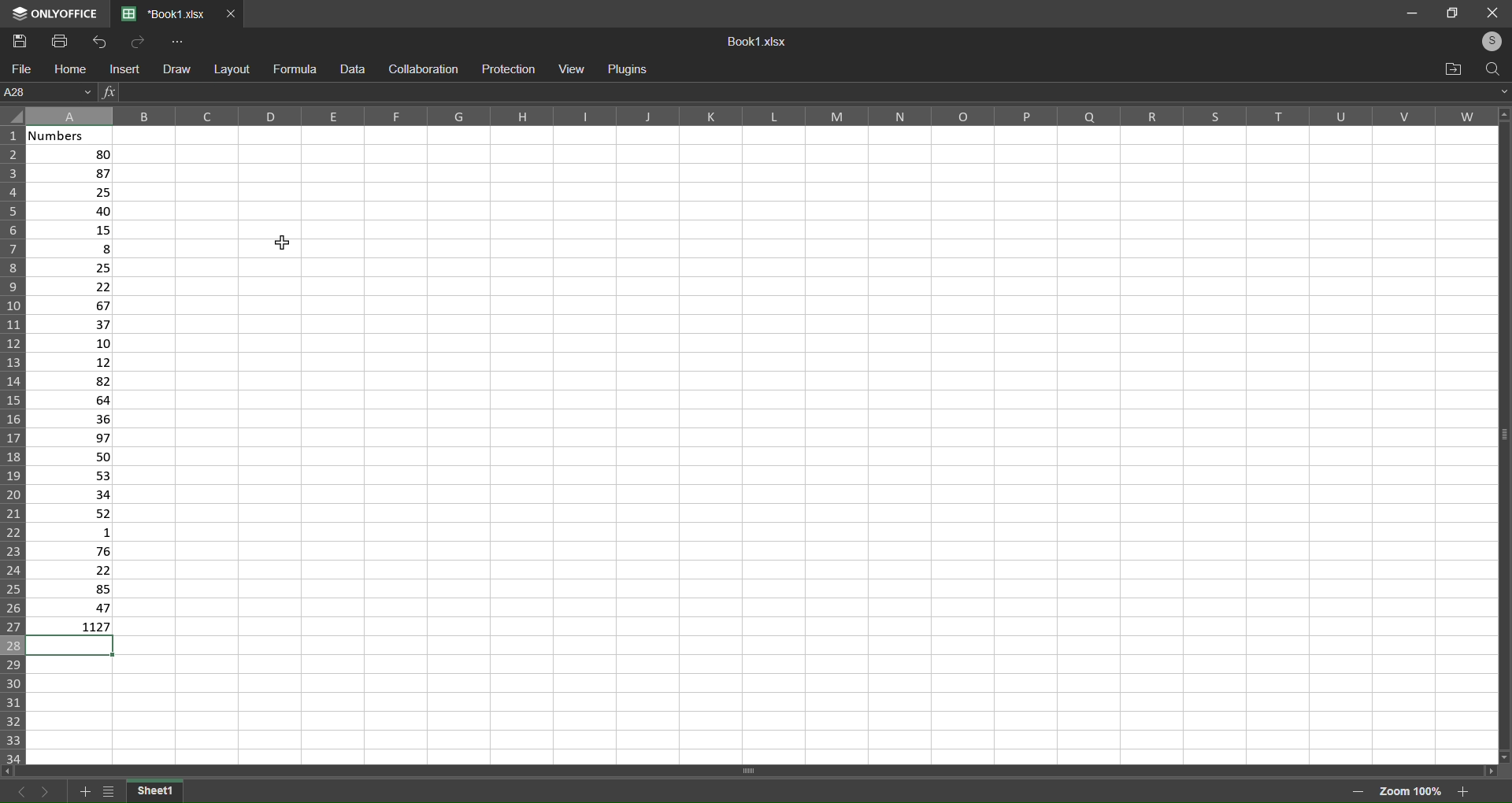 This screenshot has width=1512, height=803. What do you see at coordinates (43, 790) in the screenshot?
I see `next` at bounding box center [43, 790].